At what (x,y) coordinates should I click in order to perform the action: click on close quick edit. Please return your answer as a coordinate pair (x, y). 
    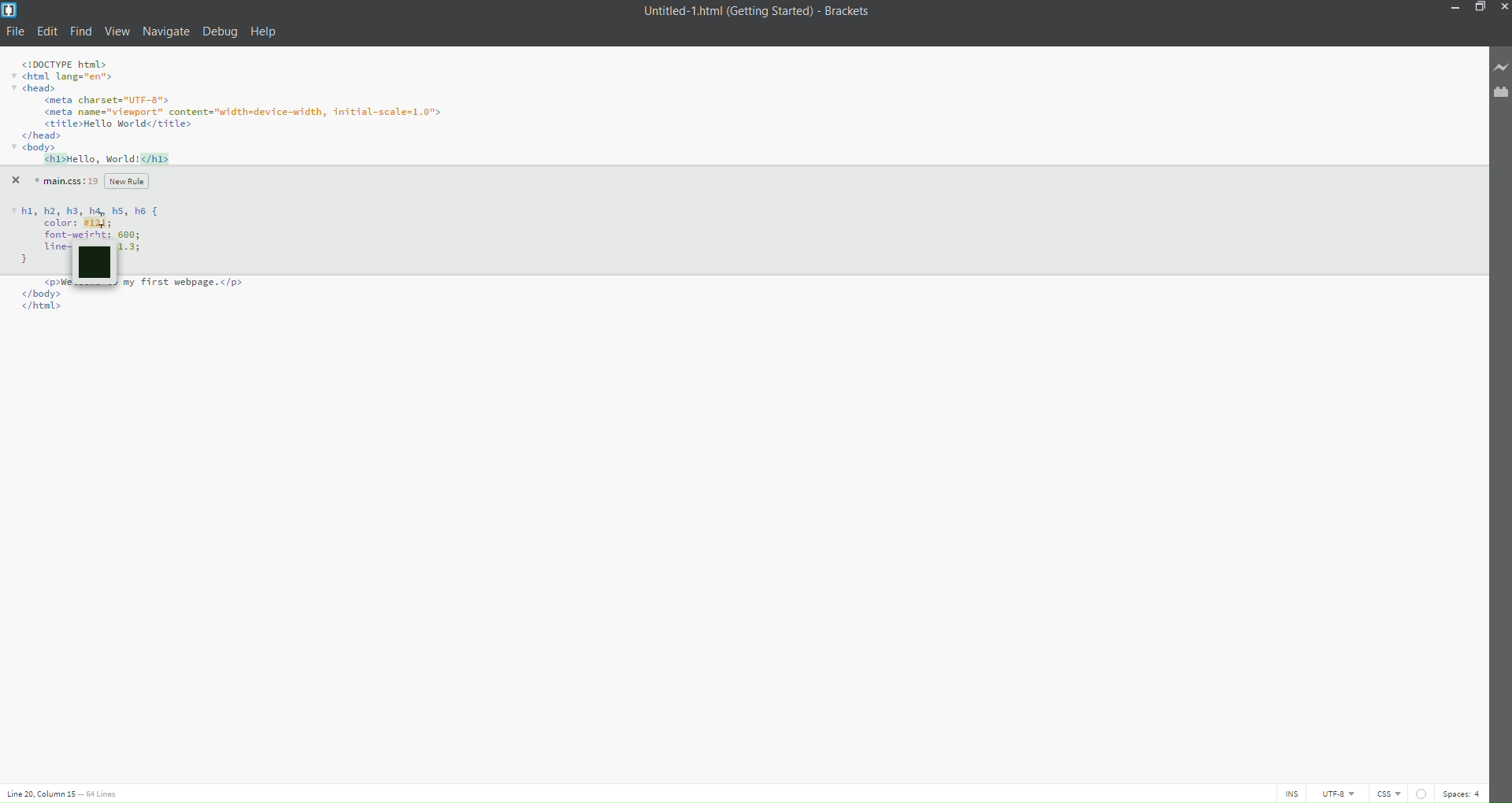
    Looking at the image, I should click on (14, 180).